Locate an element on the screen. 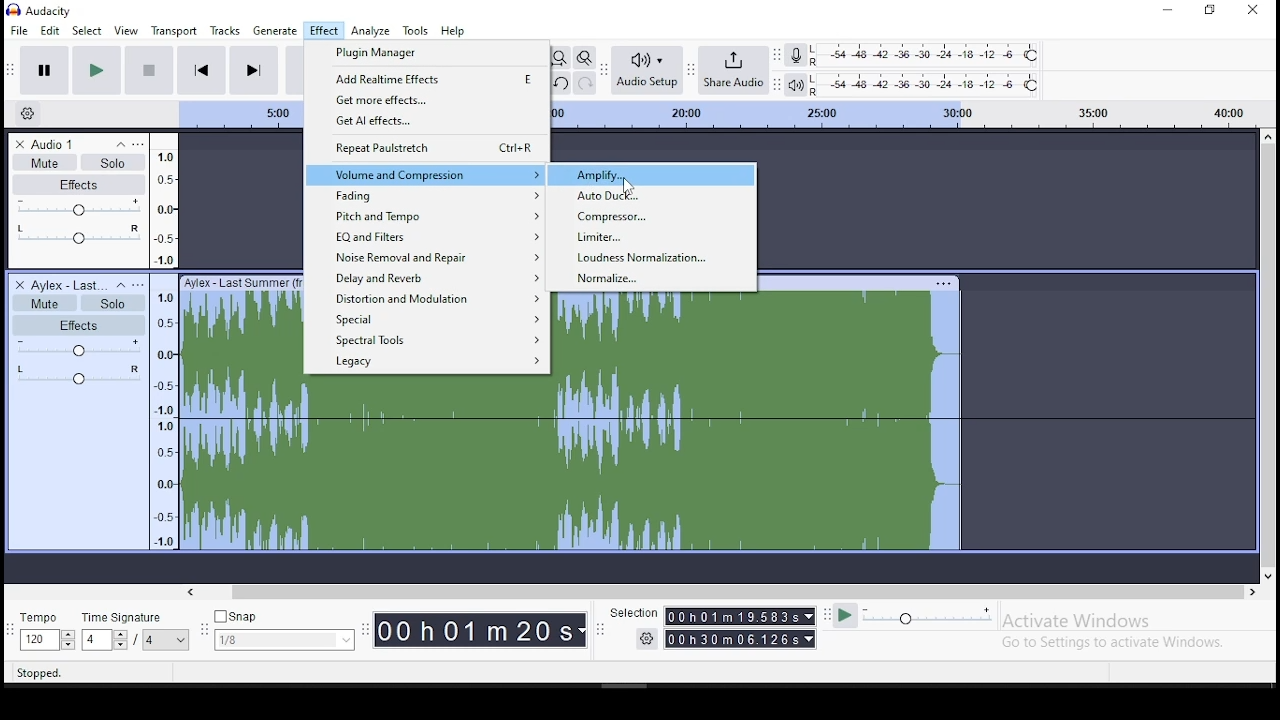  volume is located at coordinates (77, 348).